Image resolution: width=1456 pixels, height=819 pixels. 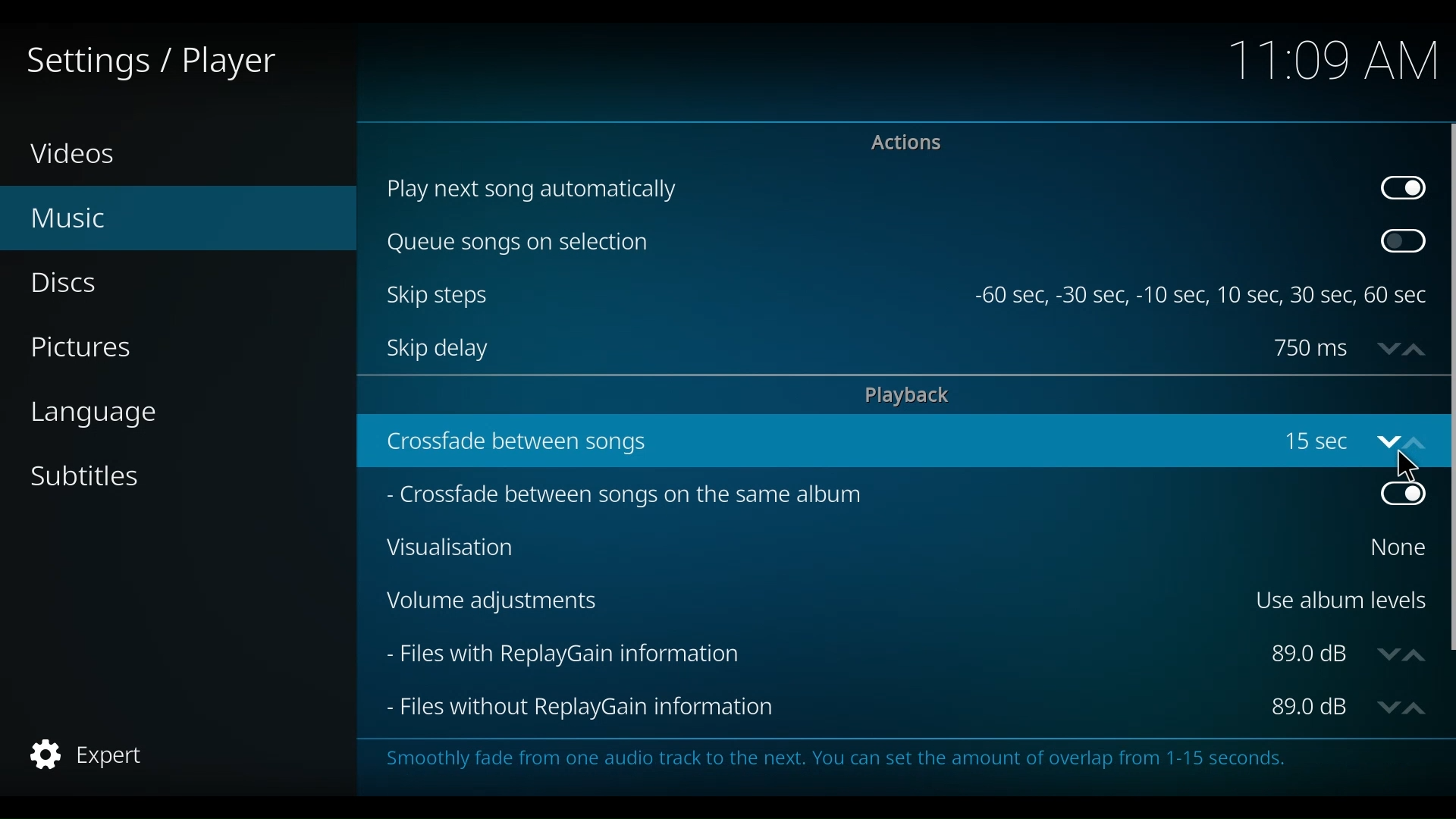 I want to click on Pictures, so click(x=85, y=347).